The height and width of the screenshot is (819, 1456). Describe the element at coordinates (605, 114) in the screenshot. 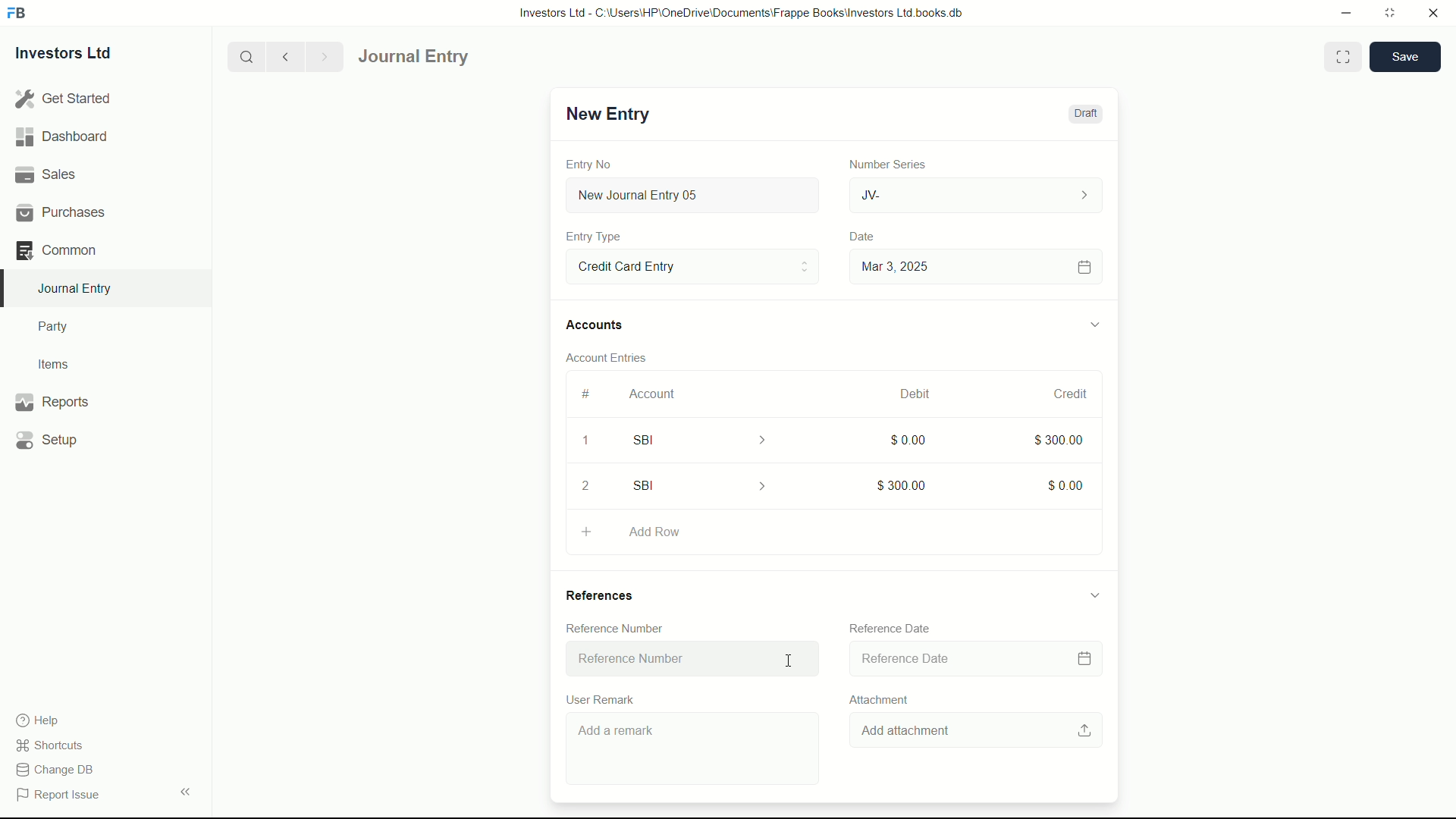

I see `New Entry` at that location.